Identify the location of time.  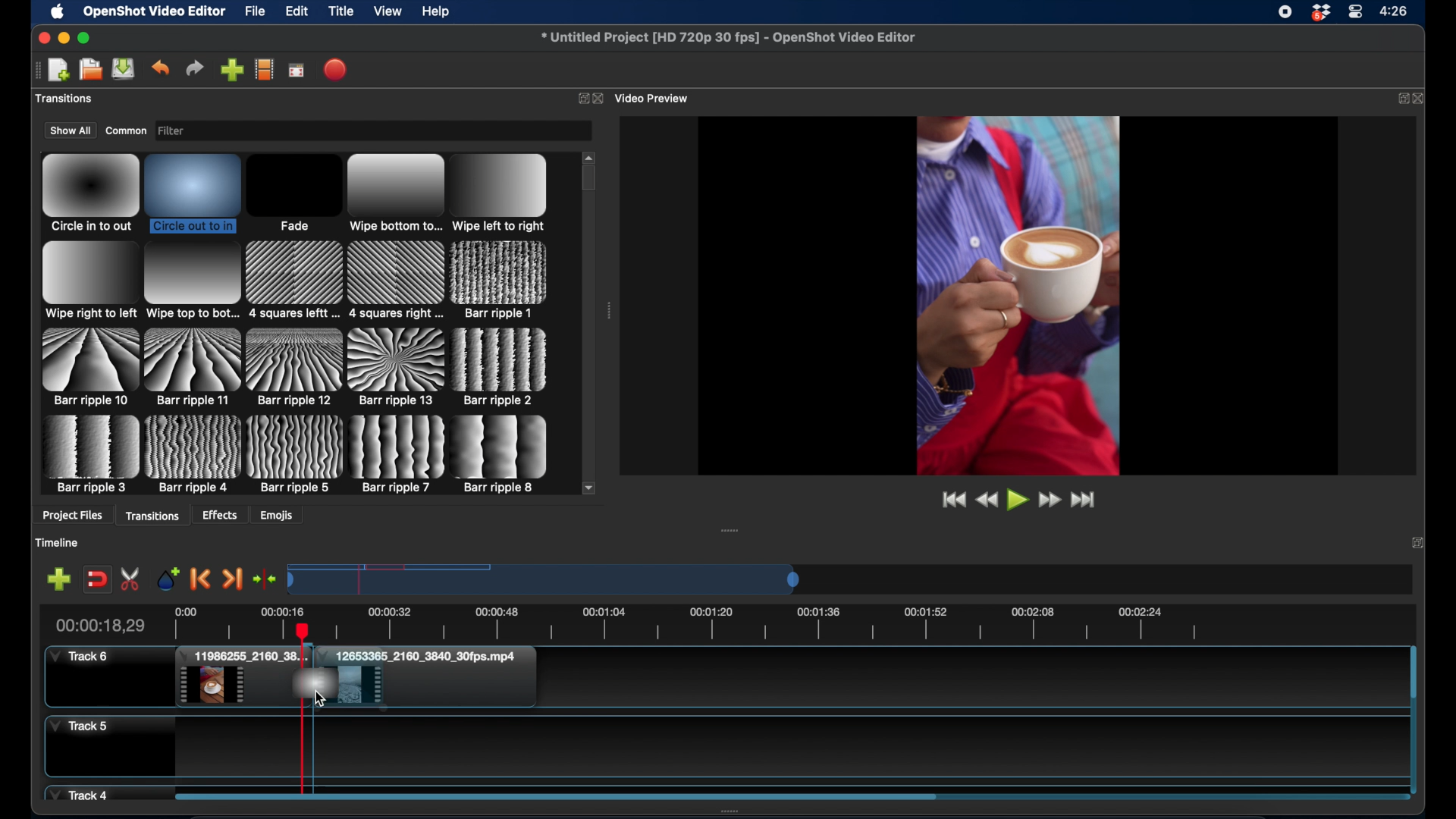
(1396, 10).